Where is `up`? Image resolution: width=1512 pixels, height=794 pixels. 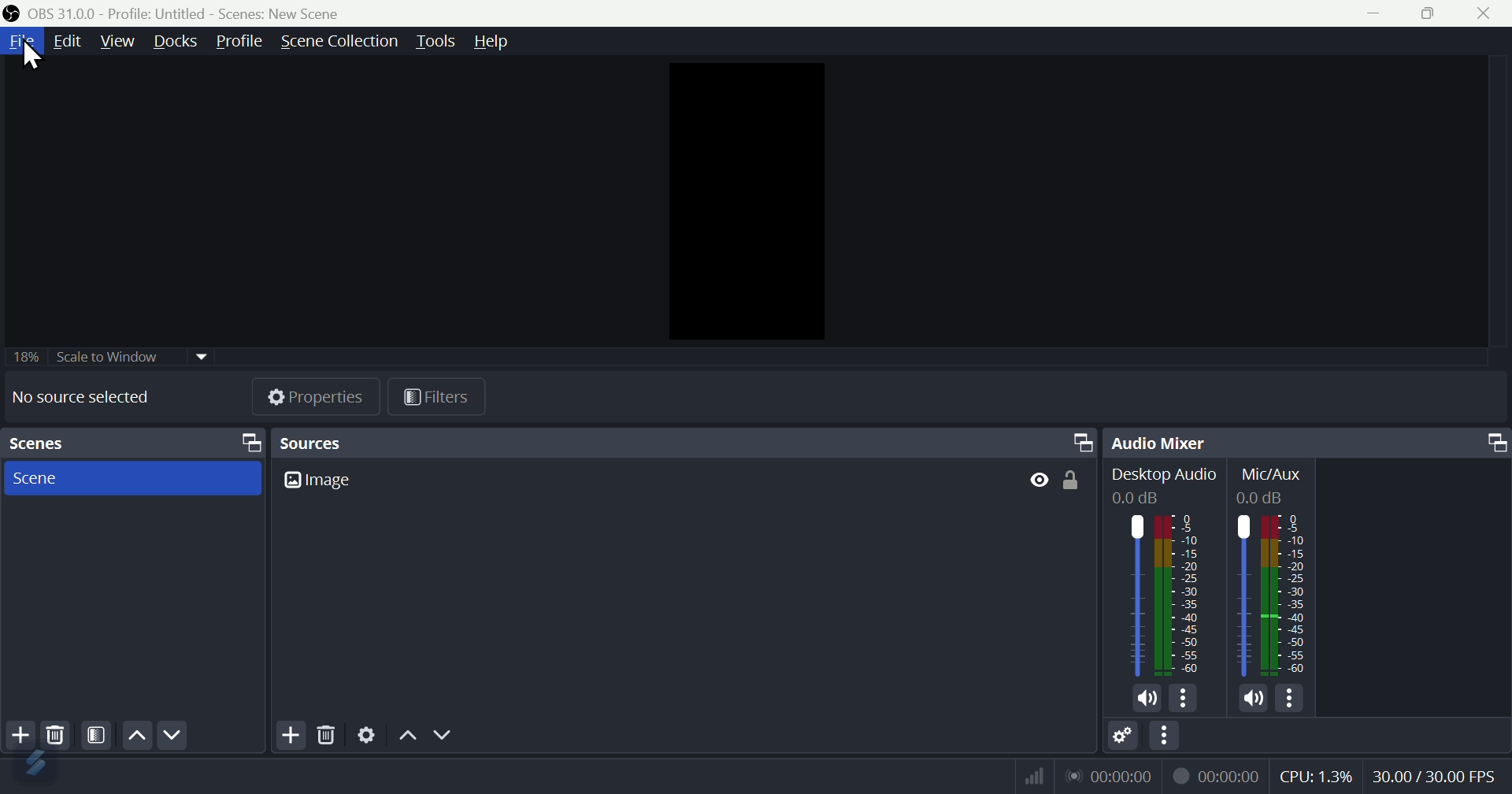
up is located at coordinates (136, 736).